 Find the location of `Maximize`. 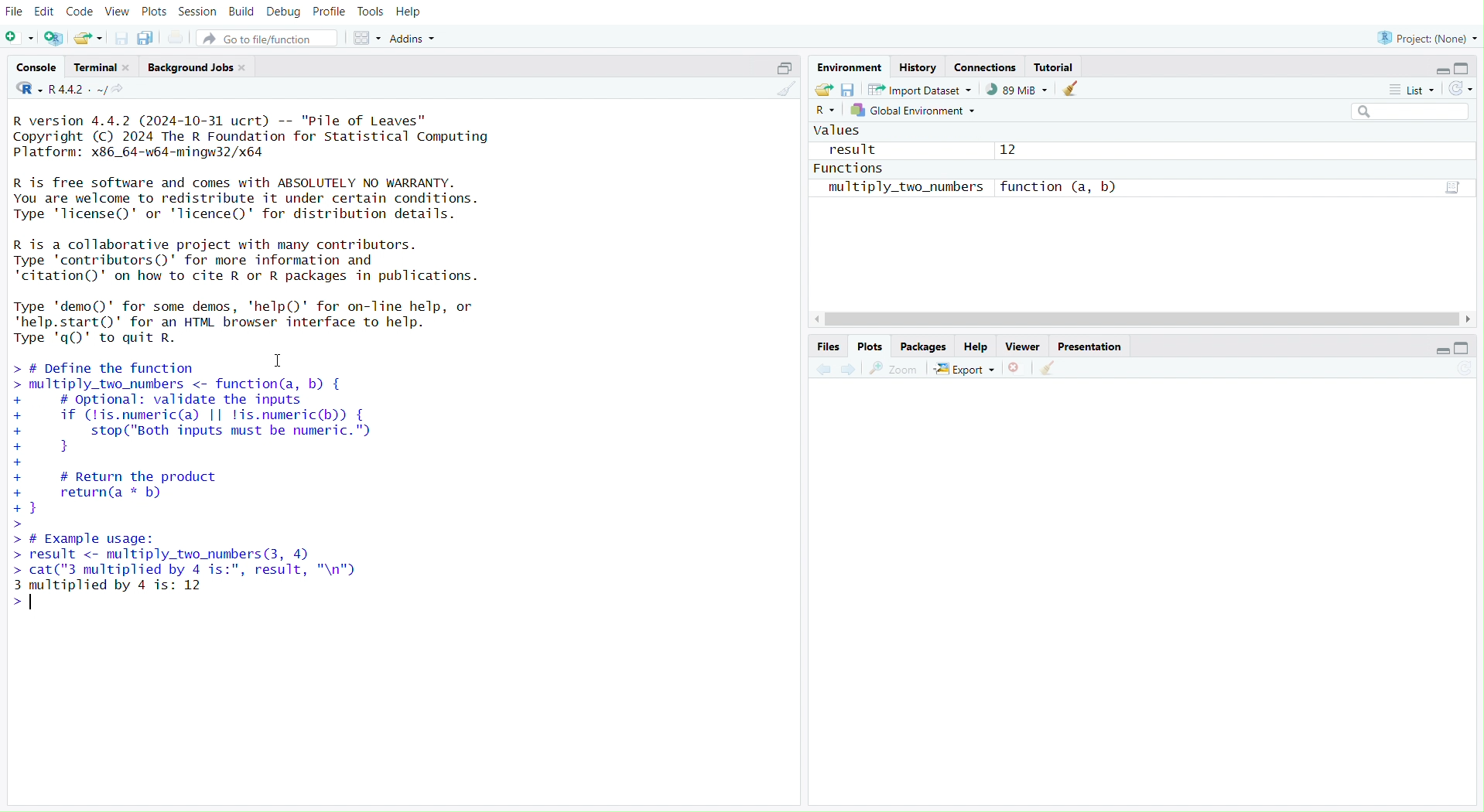

Maximize is located at coordinates (781, 70).